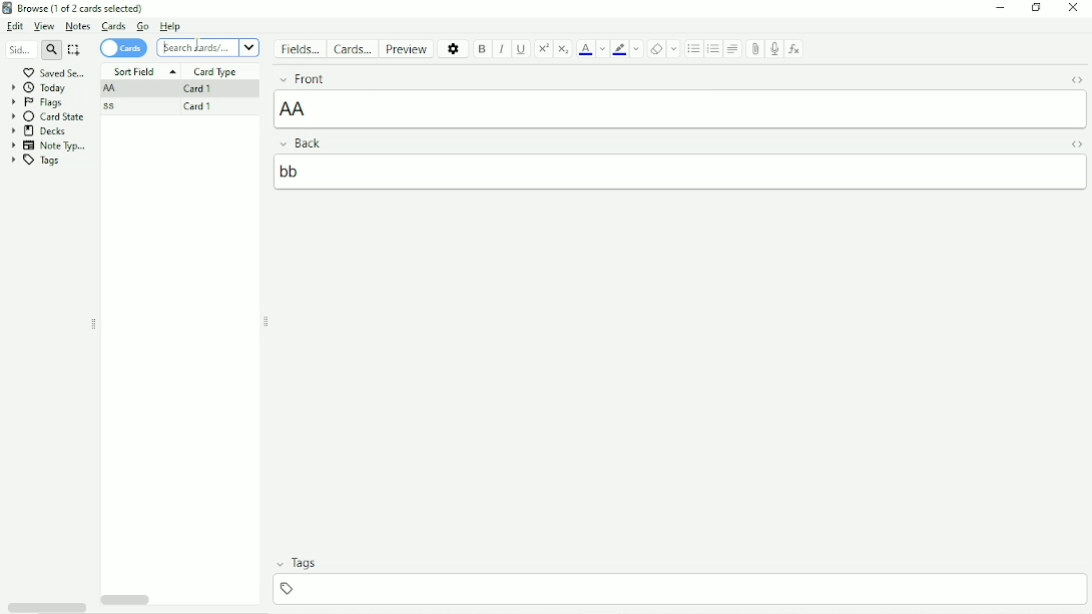 The image size is (1092, 614). What do you see at coordinates (713, 50) in the screenshot?
I see `Ordered list` at bounding box center [713, 50].